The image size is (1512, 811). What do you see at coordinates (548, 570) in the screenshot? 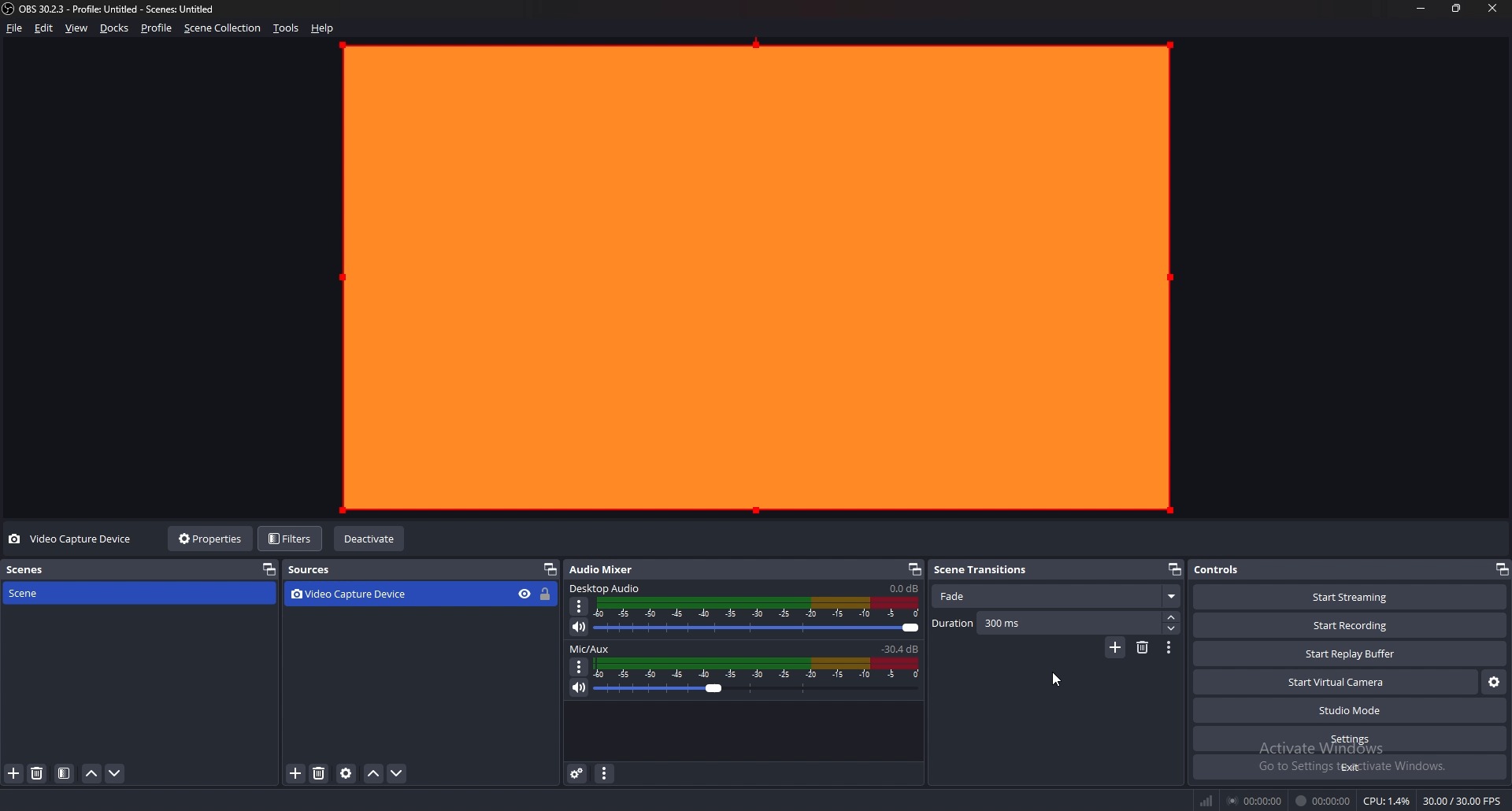
I see `pop out` at bounding box center [548, 570].